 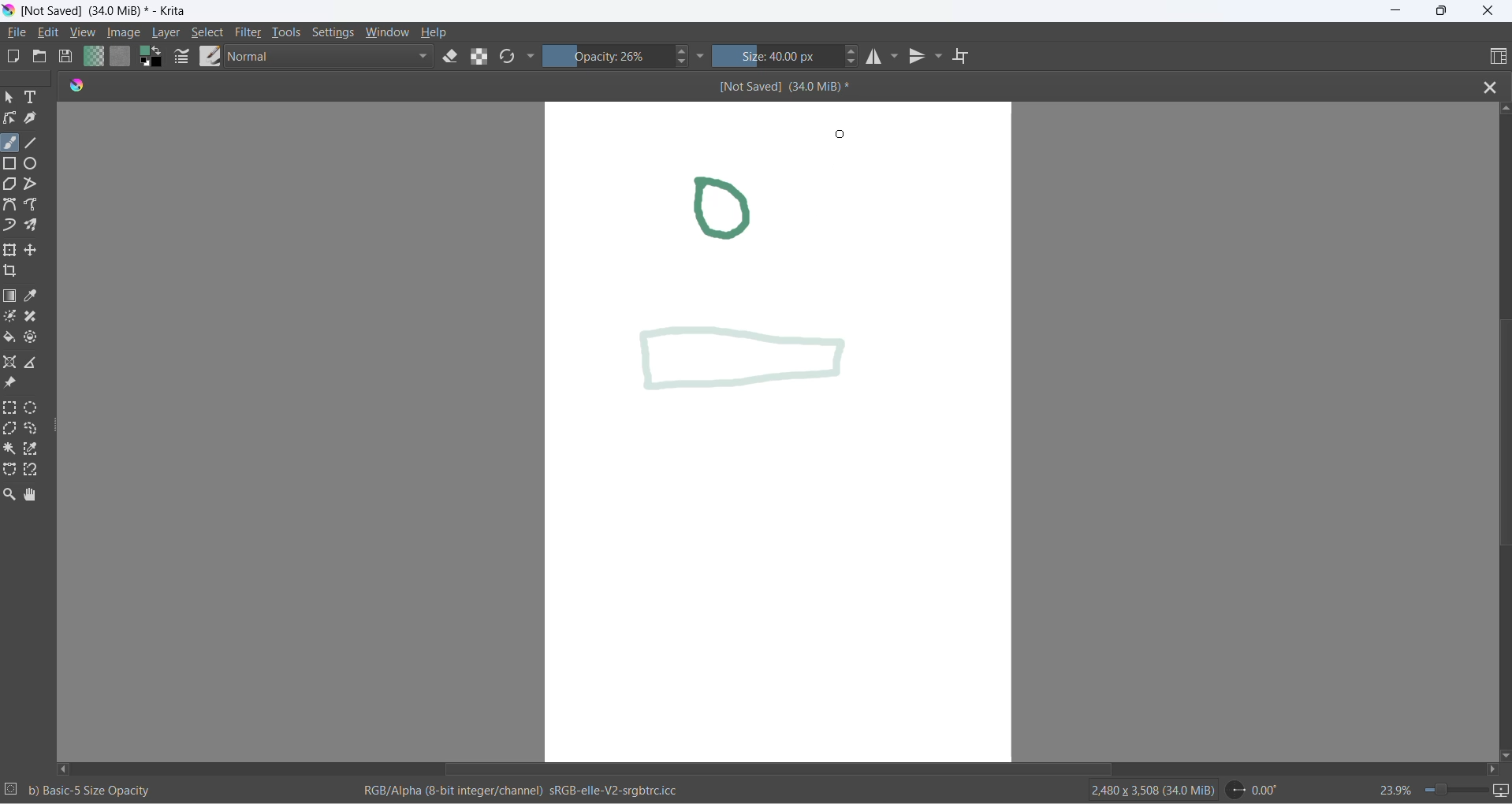 I want to click on maximize, so click(x=1438, y=11).